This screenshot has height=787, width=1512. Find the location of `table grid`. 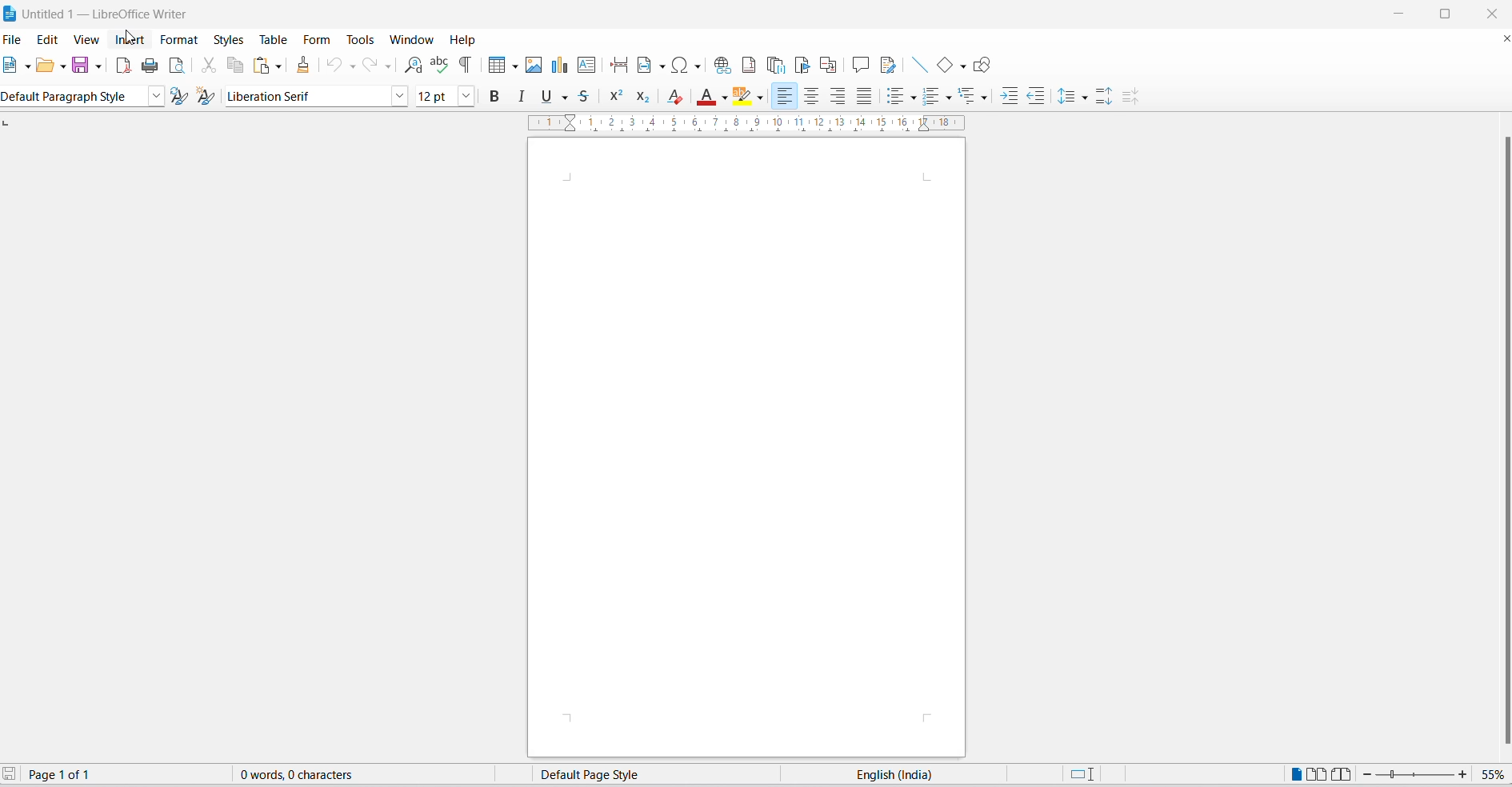

table grid is located at coordinates (513, 66).